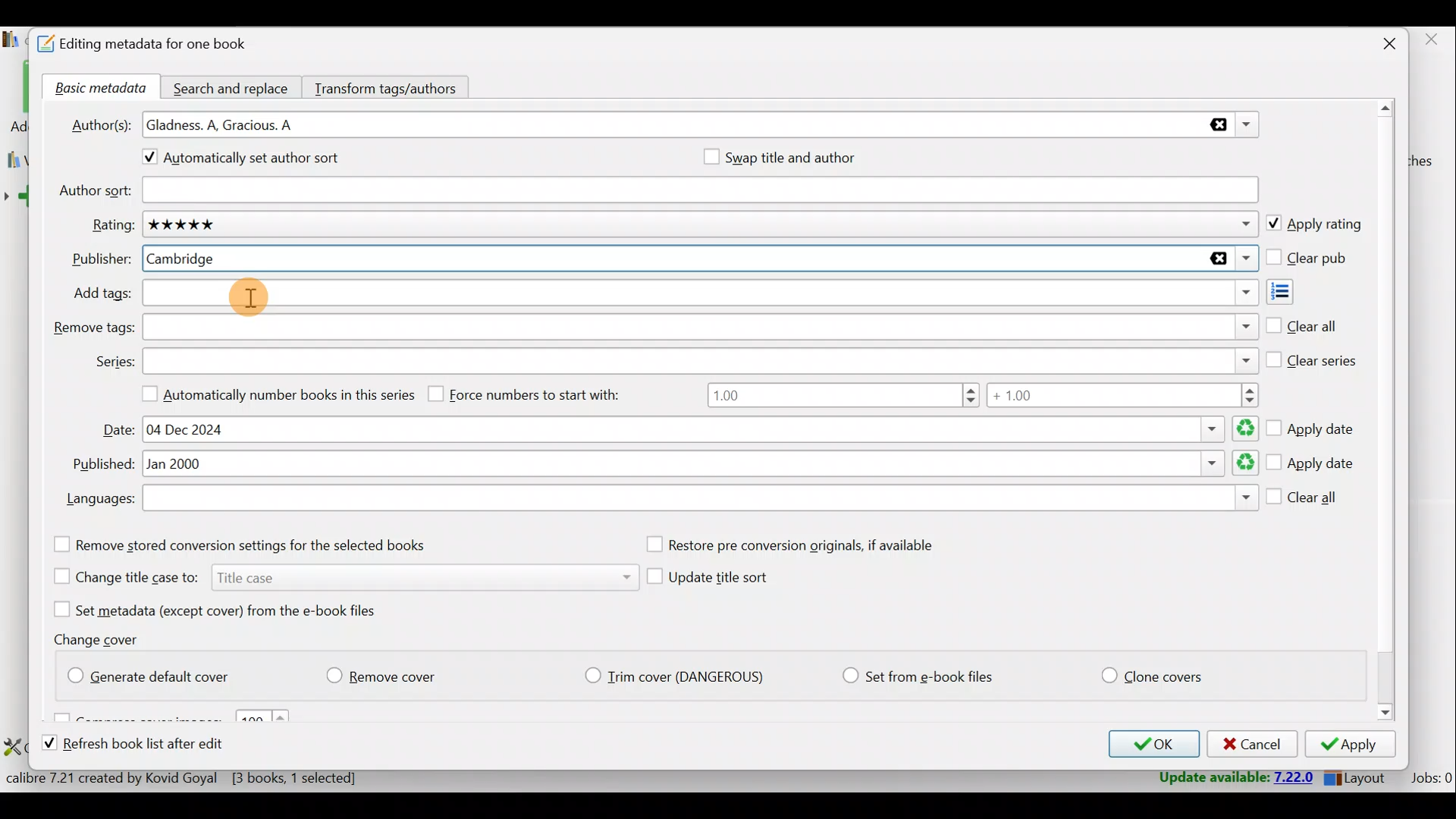 The height and width of the screenshot is (819, 1456). Describe the element at coordinates (701, 359) in the screenshot. I see `Series` at that location.